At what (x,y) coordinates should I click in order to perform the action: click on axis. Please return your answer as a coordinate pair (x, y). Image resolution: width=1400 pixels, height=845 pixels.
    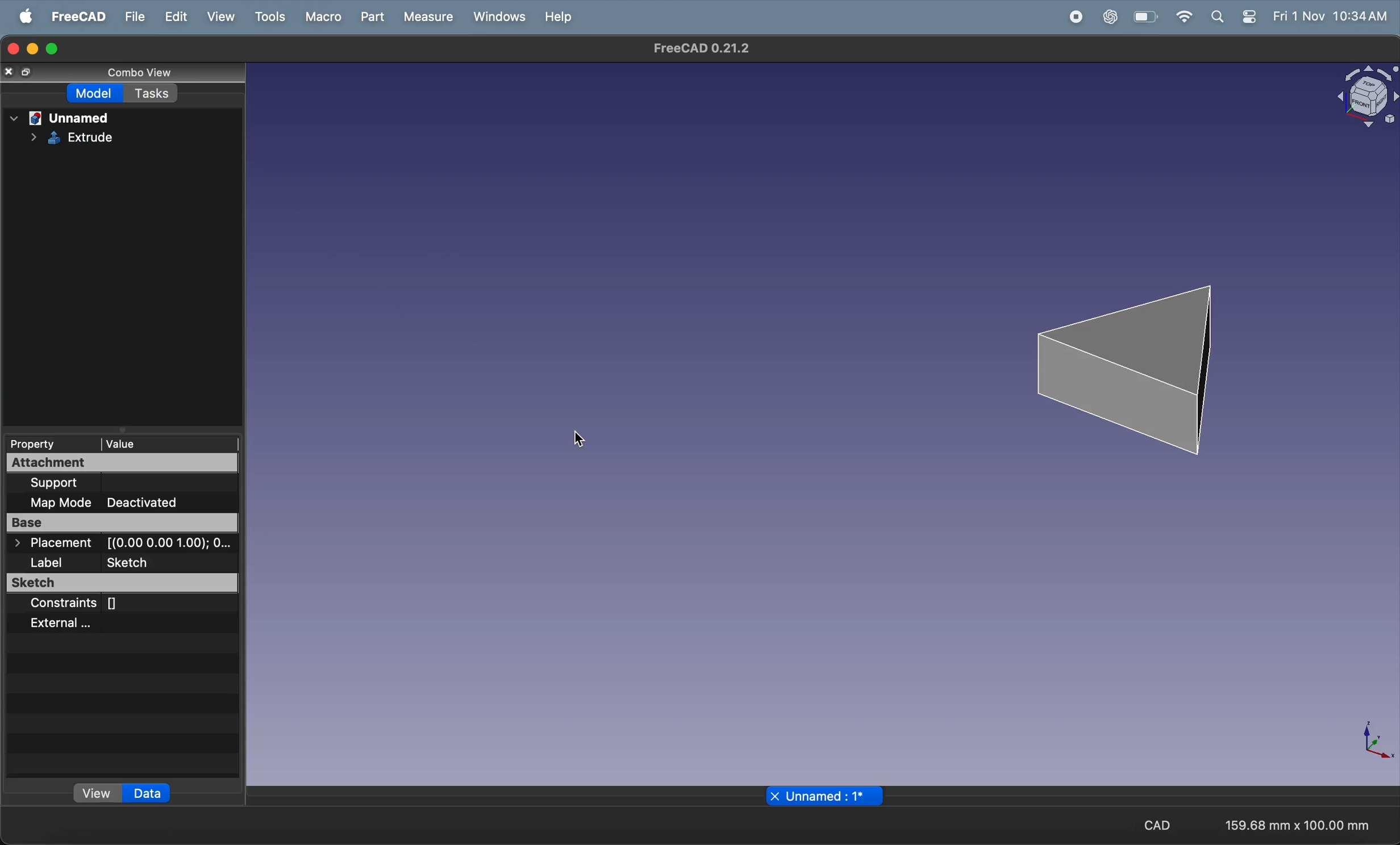
    Looking at the image, I should click on (1380, 743).